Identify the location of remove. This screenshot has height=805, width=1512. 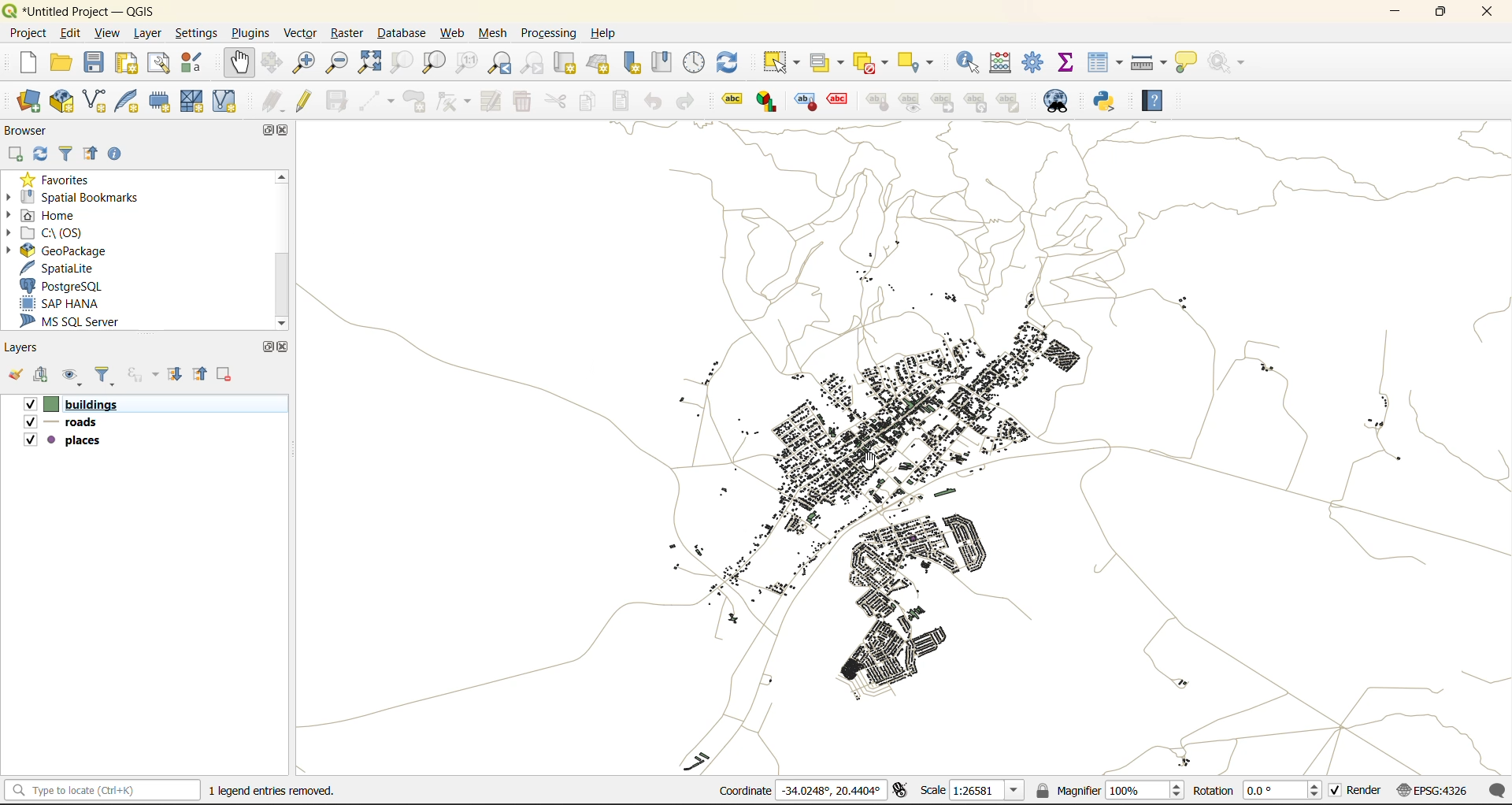
(229, 374).